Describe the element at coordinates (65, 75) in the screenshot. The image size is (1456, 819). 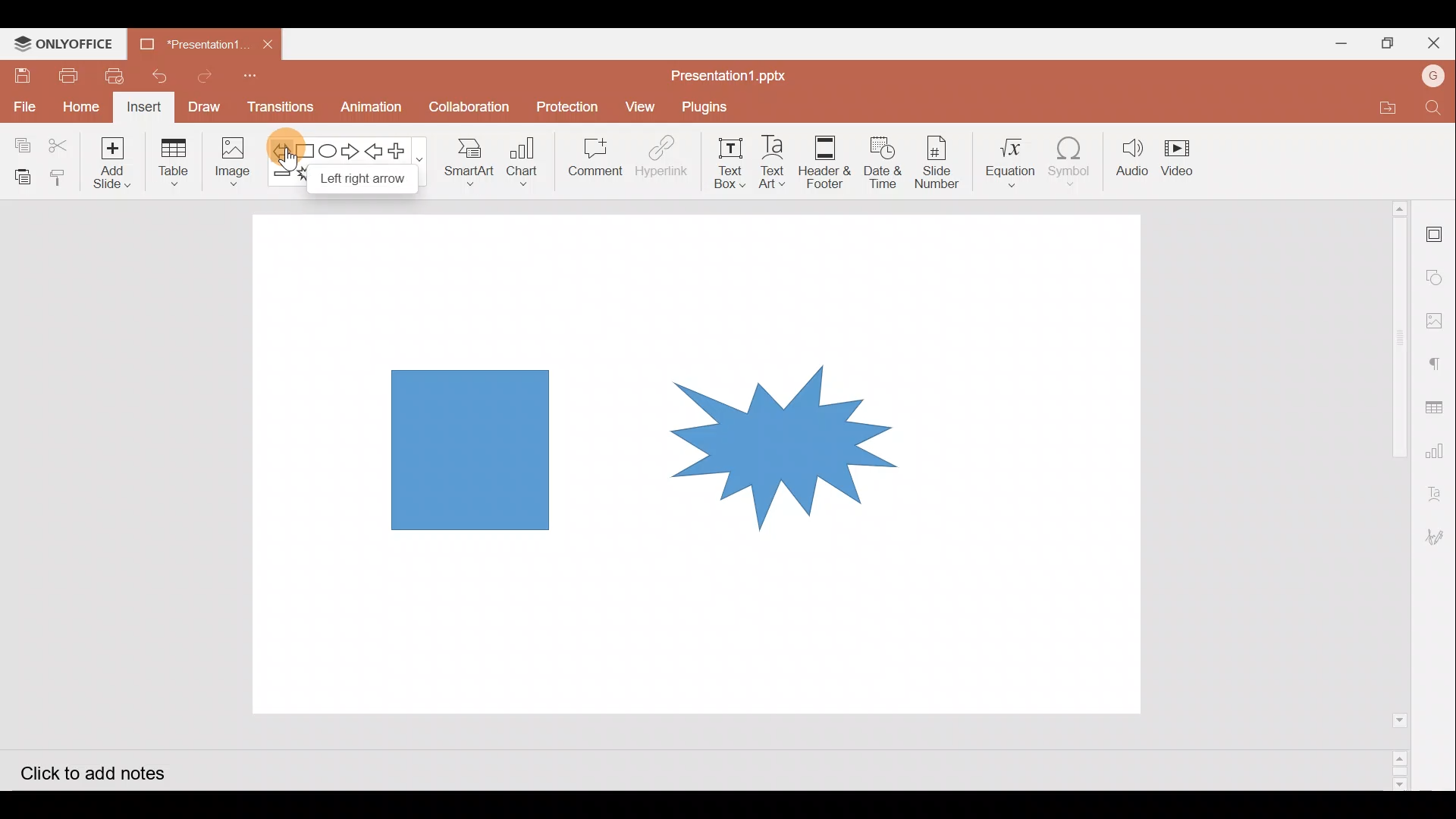
I see `Print file` at that location.